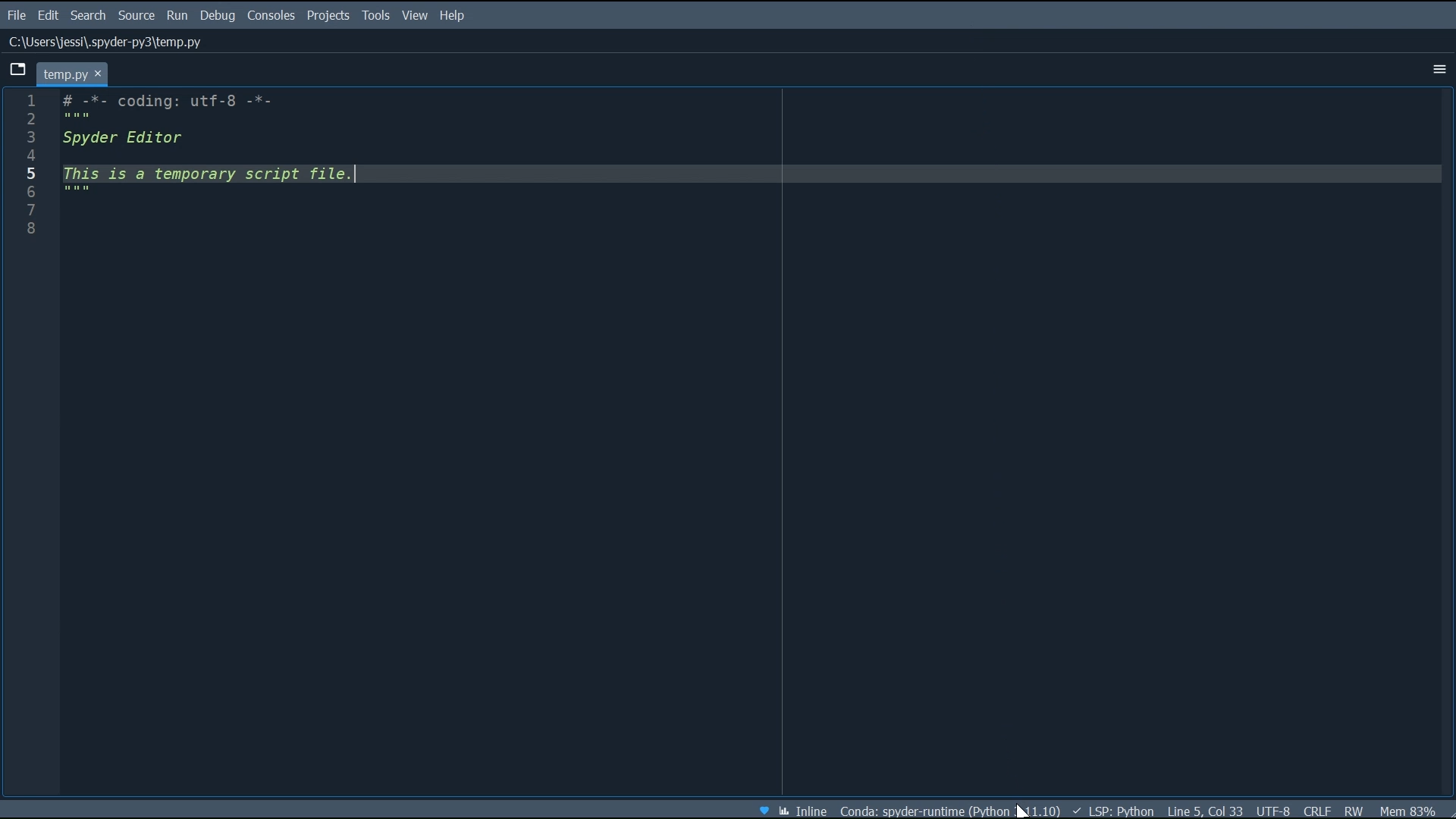 Image resolution: width=1456 pixels, height=819 pixels. What do you see at coordinates (1409, 809) in the screenshot?
I see `Memory Usage` at bounding box center [1409, 809].